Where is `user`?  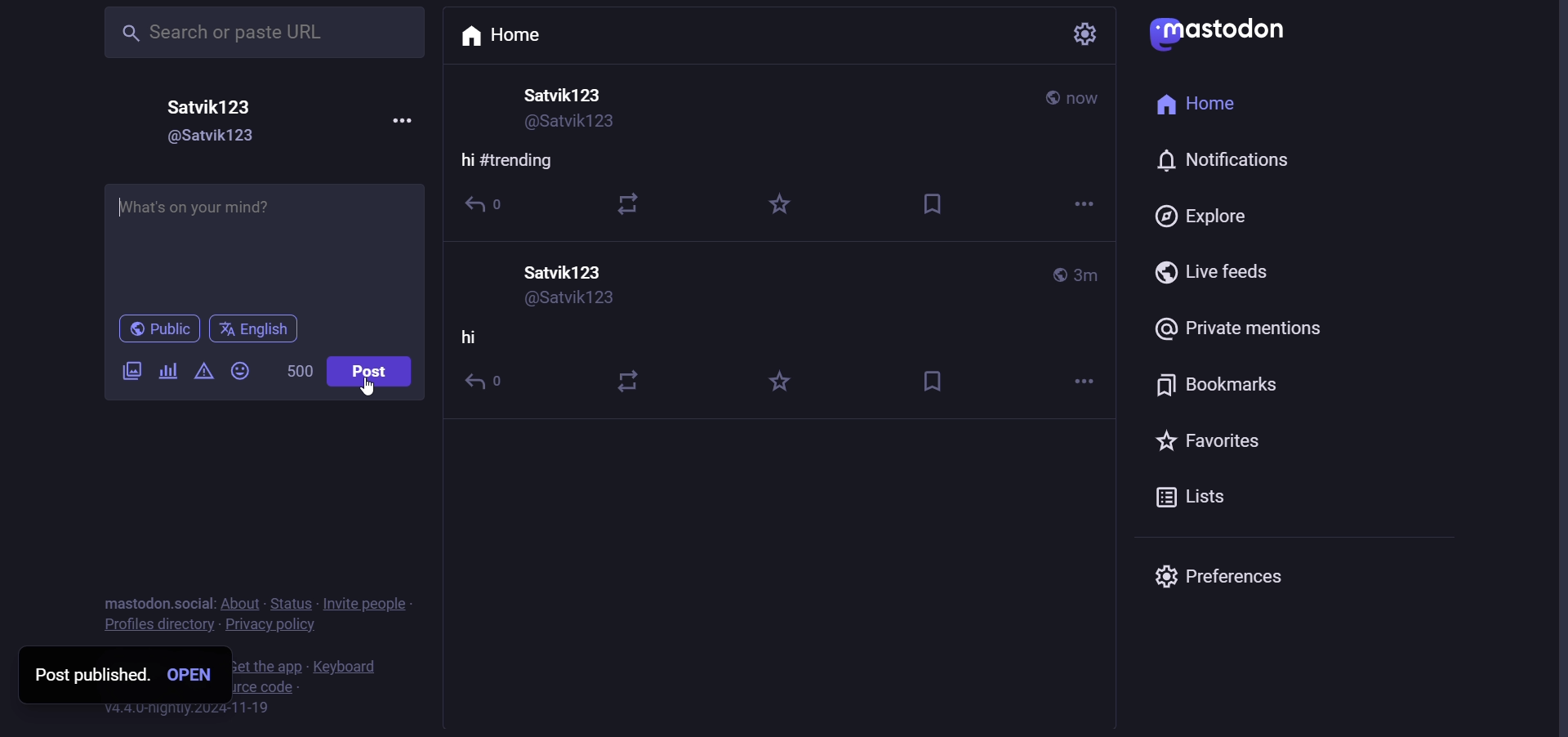
user is located at coordinates (212, 107).